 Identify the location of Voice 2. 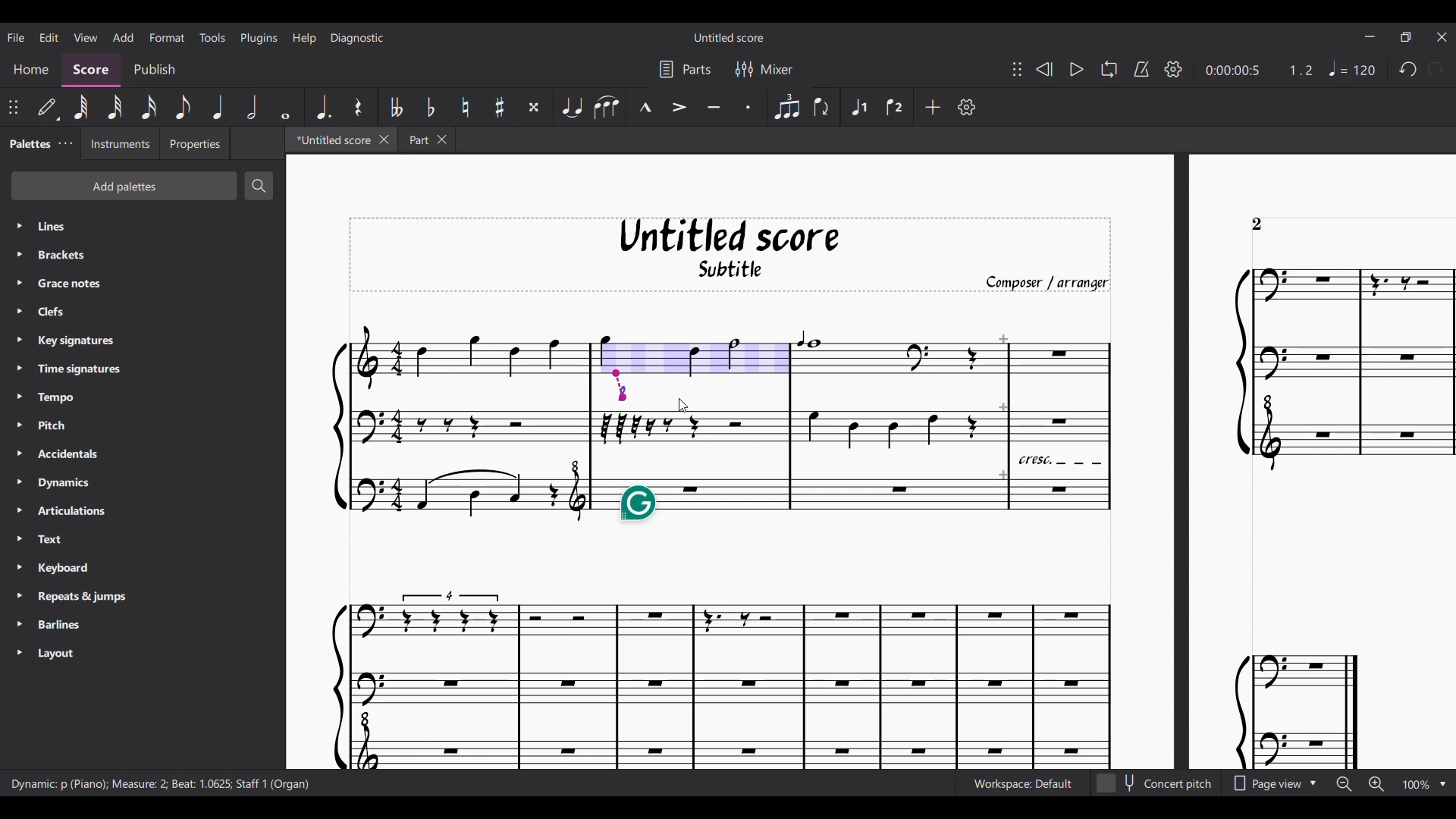
(897, 107).